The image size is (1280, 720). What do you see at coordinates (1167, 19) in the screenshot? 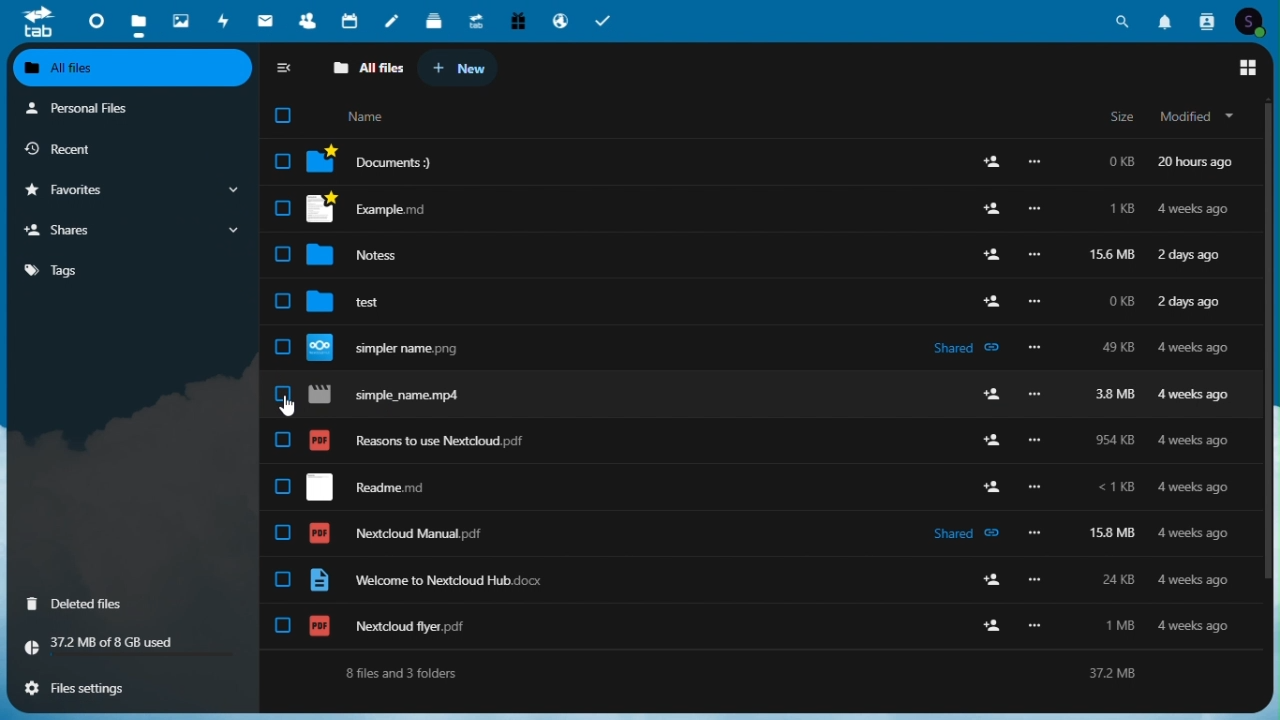
I see `Notifications` at bounding box center [1167, 19].